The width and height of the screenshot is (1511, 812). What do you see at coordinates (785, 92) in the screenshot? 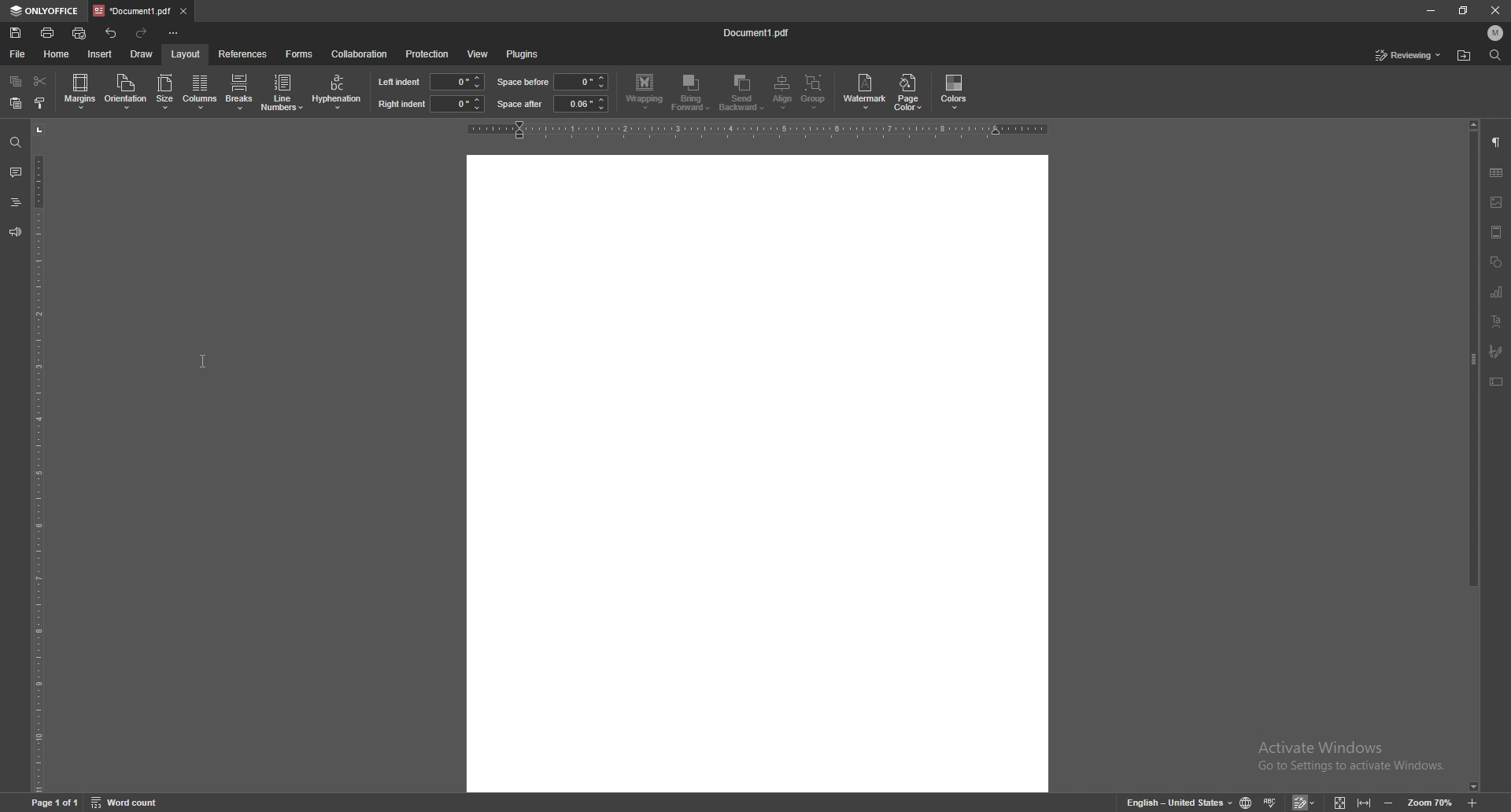
I see `align` at bounding box center [785, 92].